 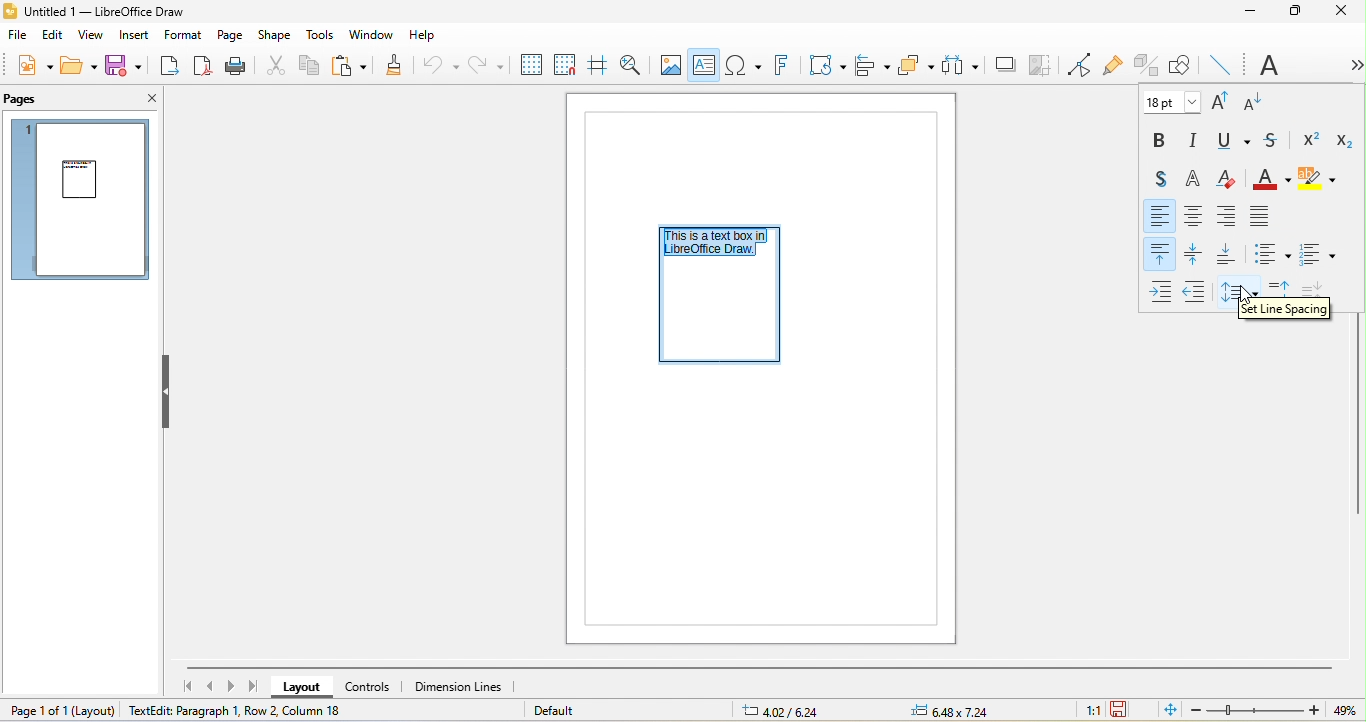 I want to click on increase indent , so click(x=1162, y=289).